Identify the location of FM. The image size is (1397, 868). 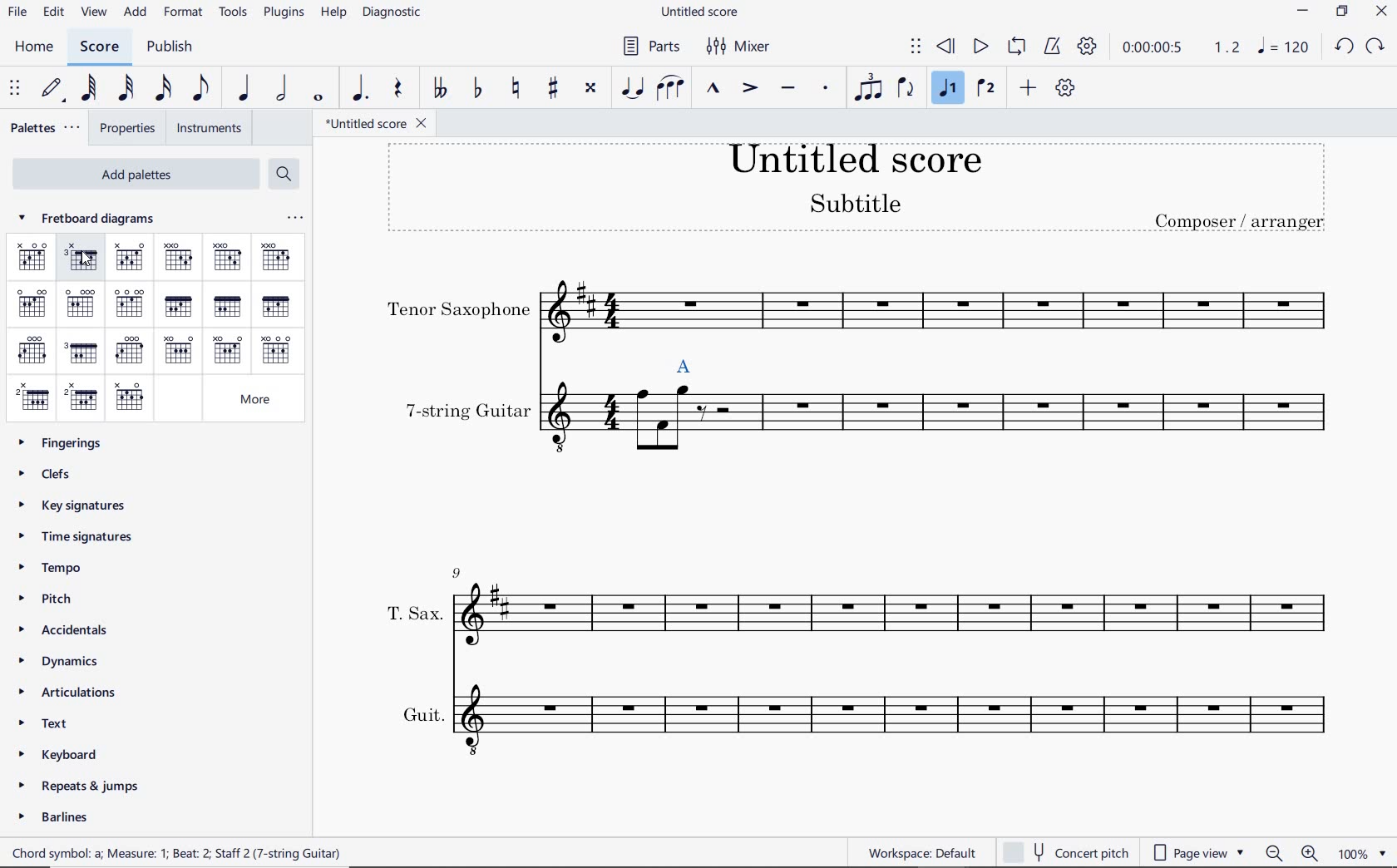
(225, 306).